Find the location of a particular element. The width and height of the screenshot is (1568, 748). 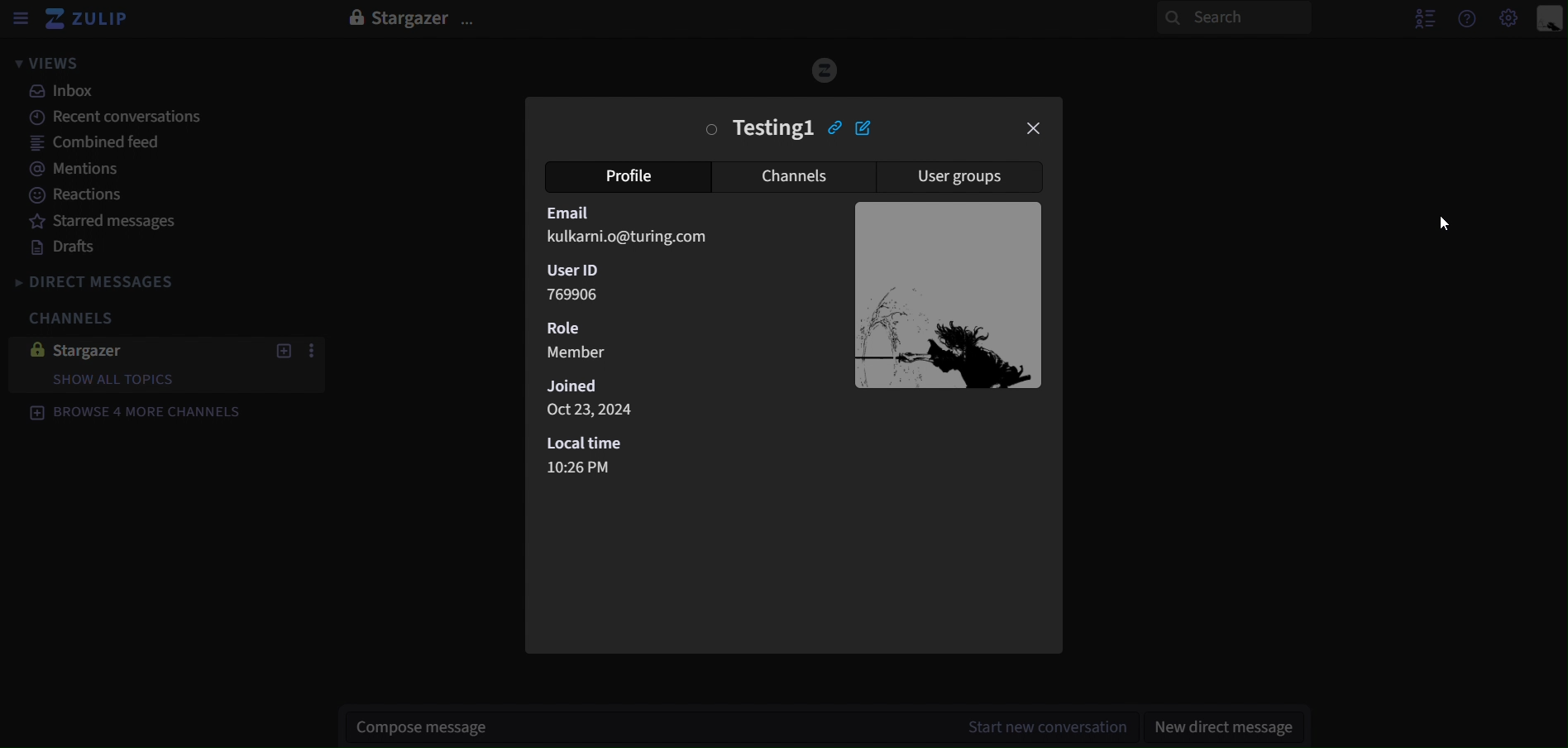

channels is located at coordinates (78, 319).